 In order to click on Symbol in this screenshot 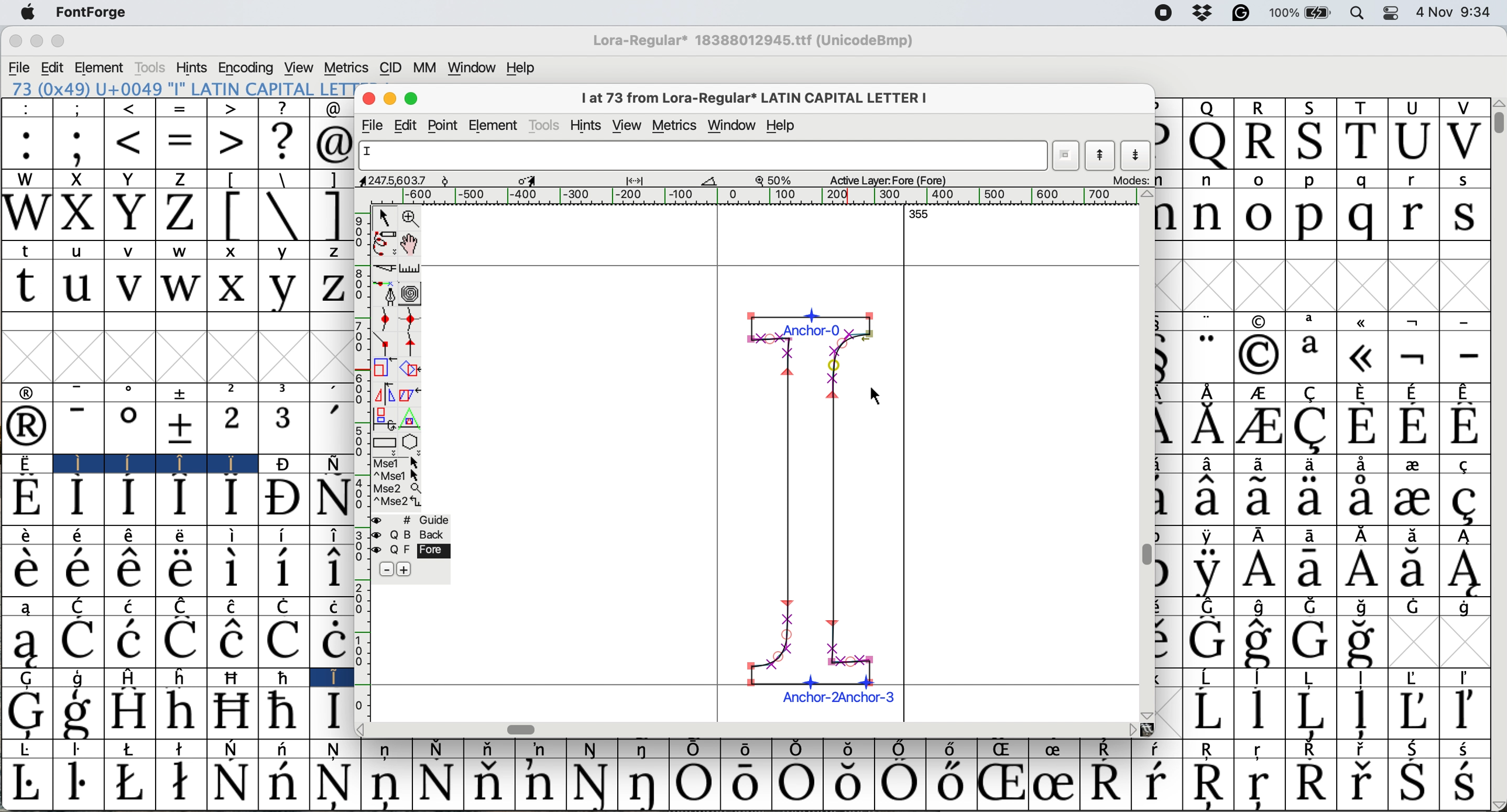, I will do `click(1312, 571)`.